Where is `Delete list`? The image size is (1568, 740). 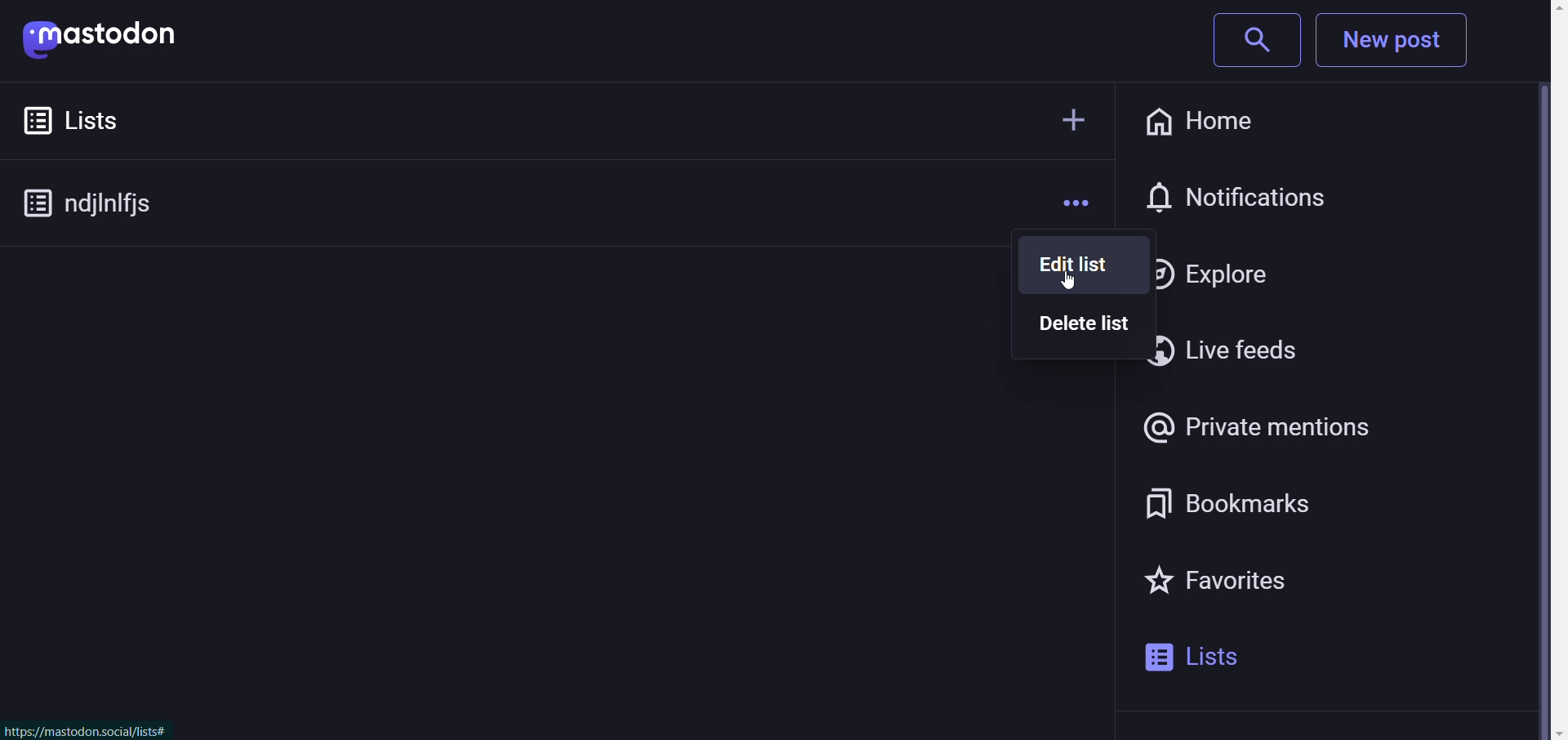 Delete list is located at coordinates (1076, 329).